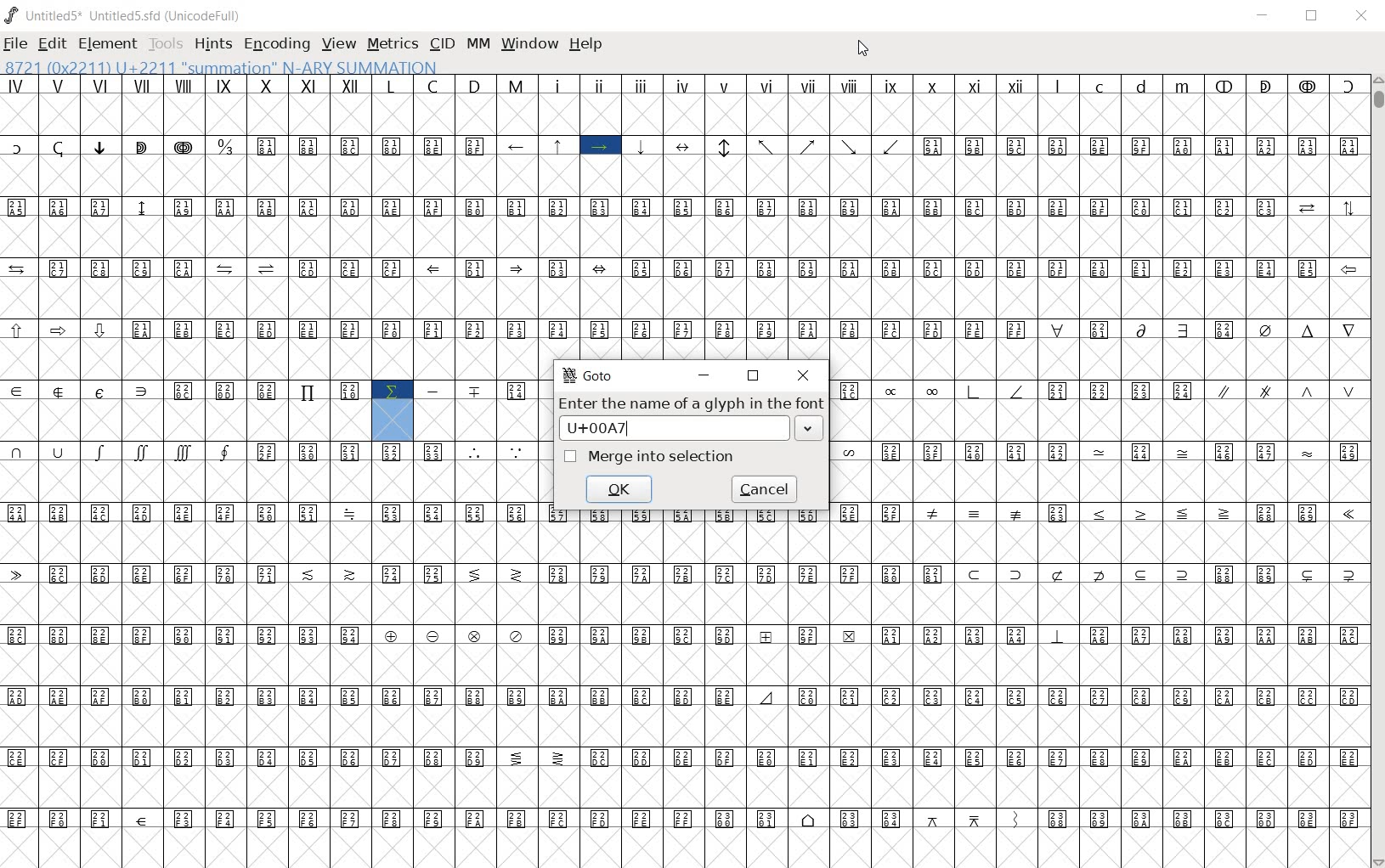 The height and width of the screenshot is (868, 1385). I want to click on input name box, so click(672, 428).